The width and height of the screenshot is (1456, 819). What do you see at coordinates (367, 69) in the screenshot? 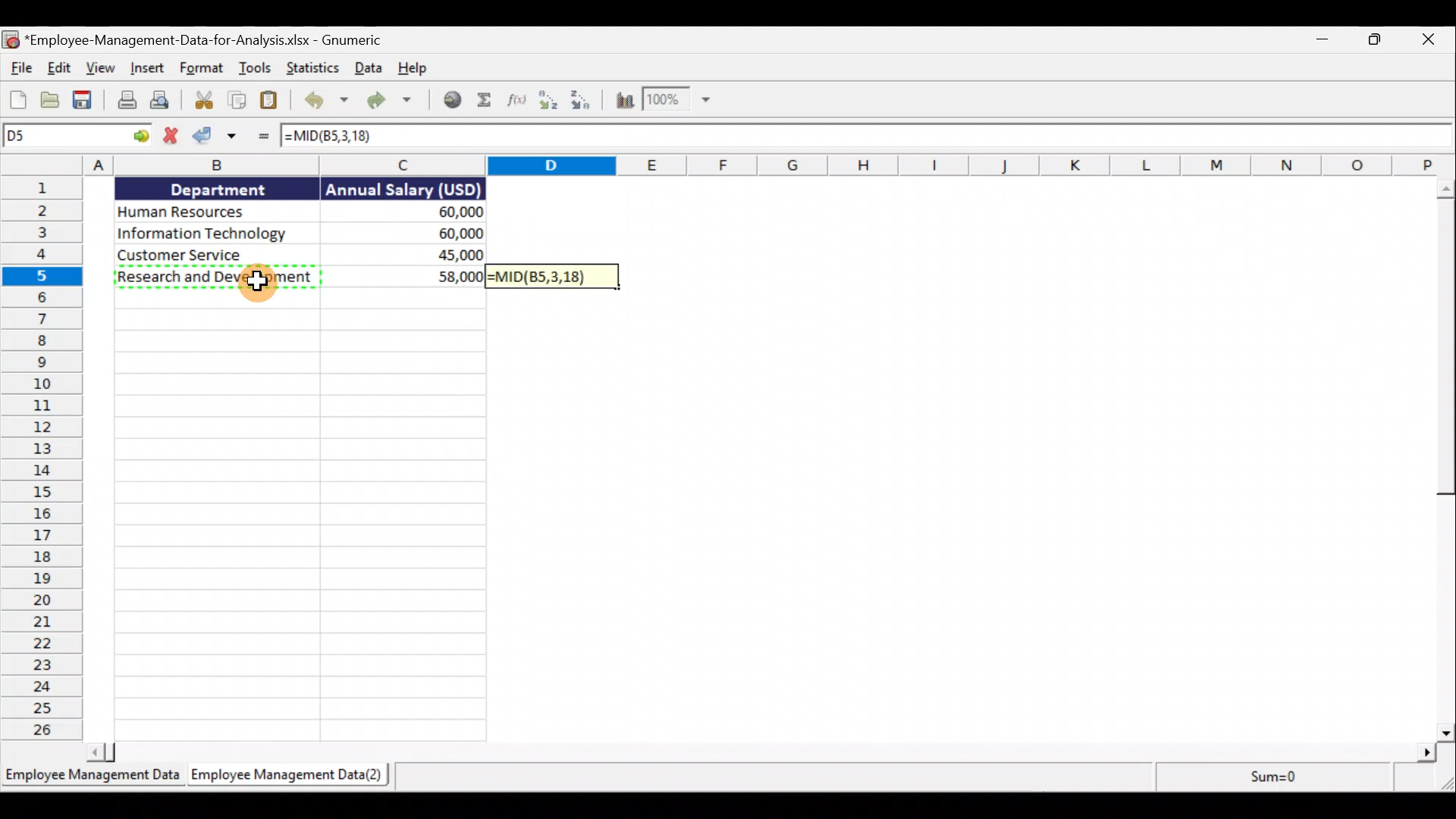
I see `Data` at bounding box center [367, 69].